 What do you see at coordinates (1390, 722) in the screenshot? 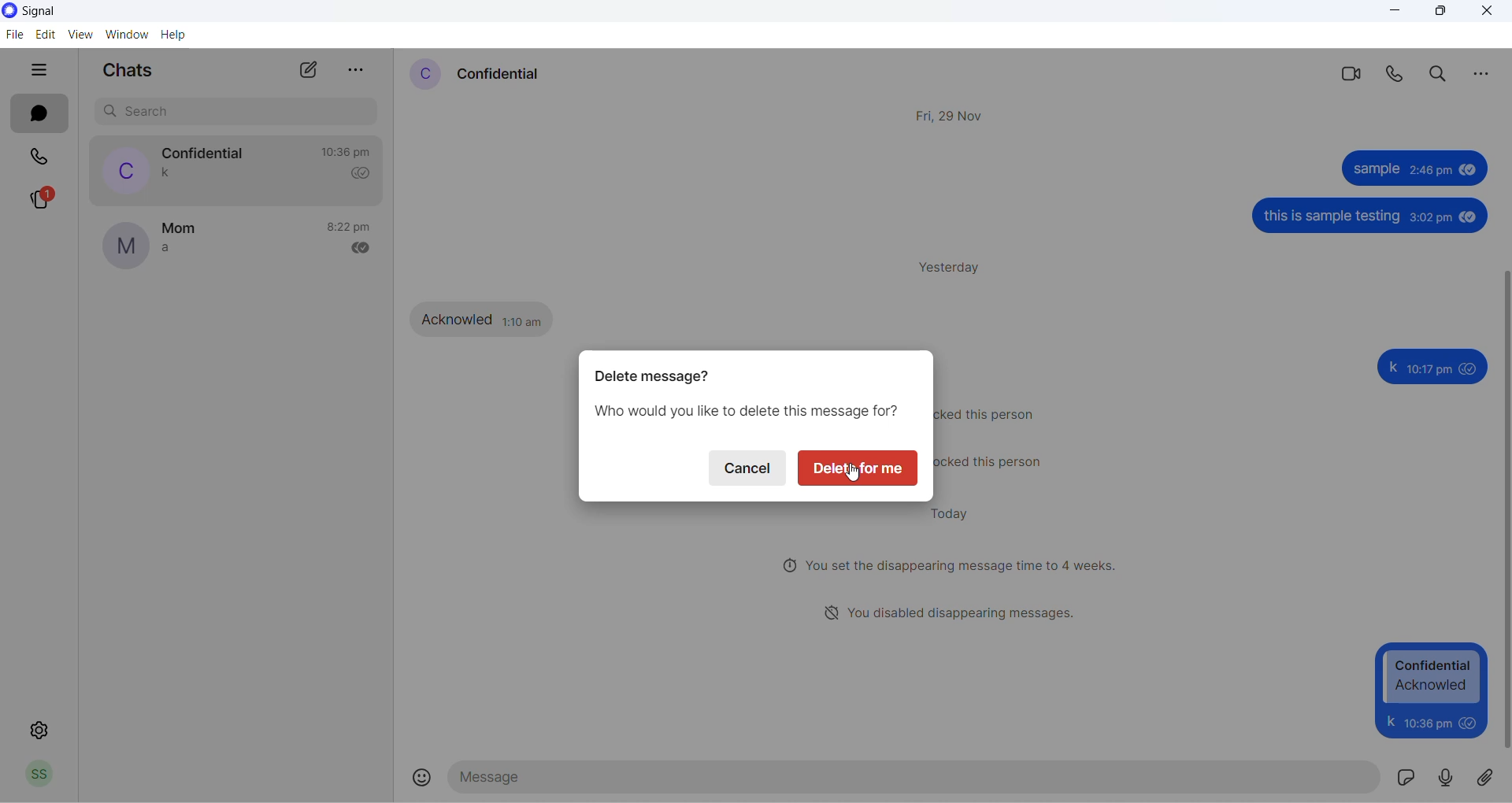
I see `k` at bounding box center [1390, 722].